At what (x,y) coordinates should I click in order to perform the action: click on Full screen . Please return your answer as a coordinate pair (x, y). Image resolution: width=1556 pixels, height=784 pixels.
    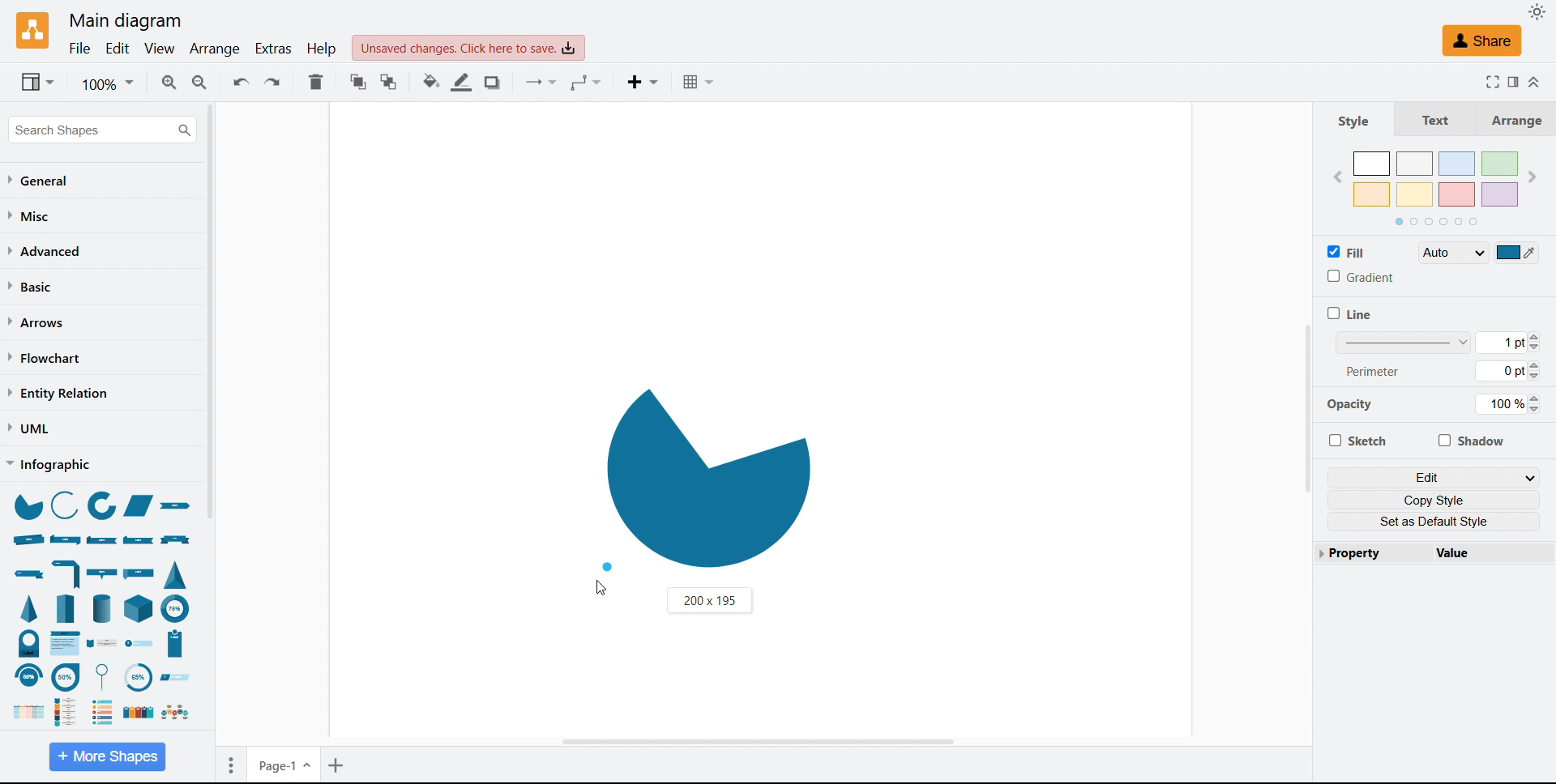
    Looking at the image, I should click on (1489, 81).